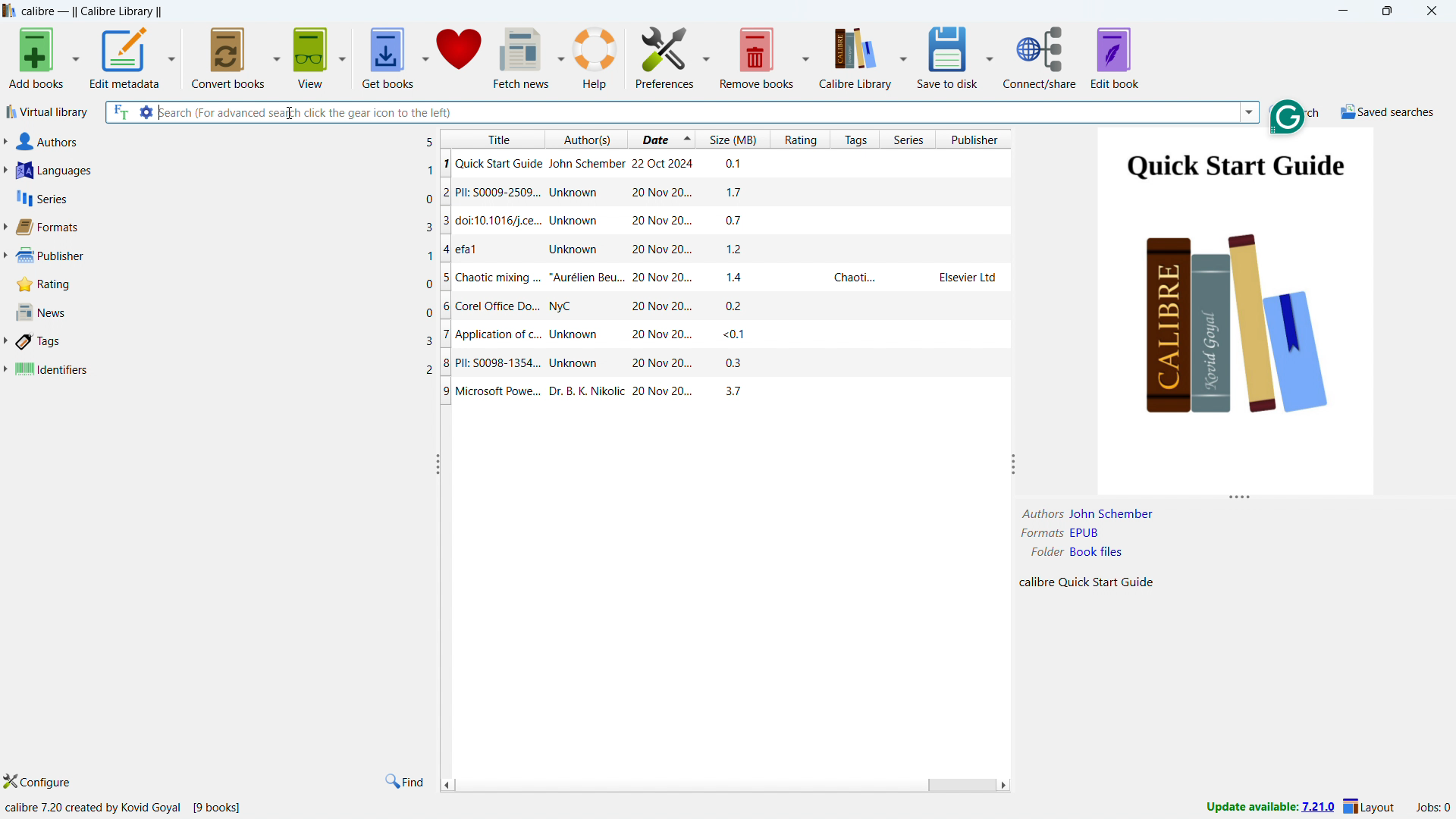 This screenshot has height=819, width=1456. Describe the element at coordinates (277, 56) in the screenshot. I see `convert books options` at that location.